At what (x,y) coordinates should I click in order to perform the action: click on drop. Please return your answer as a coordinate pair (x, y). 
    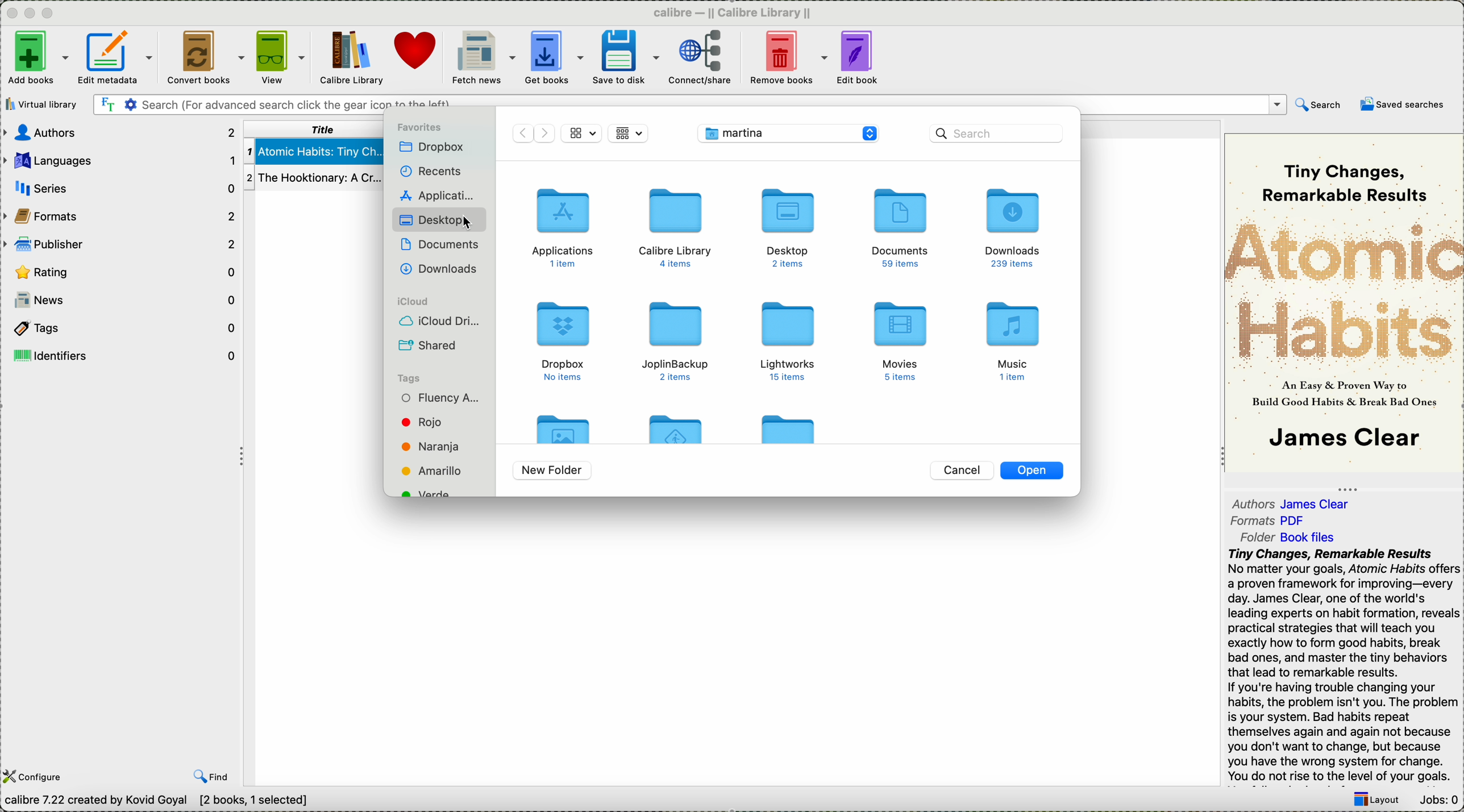
    Looking at the image, I should click on (434, 148).